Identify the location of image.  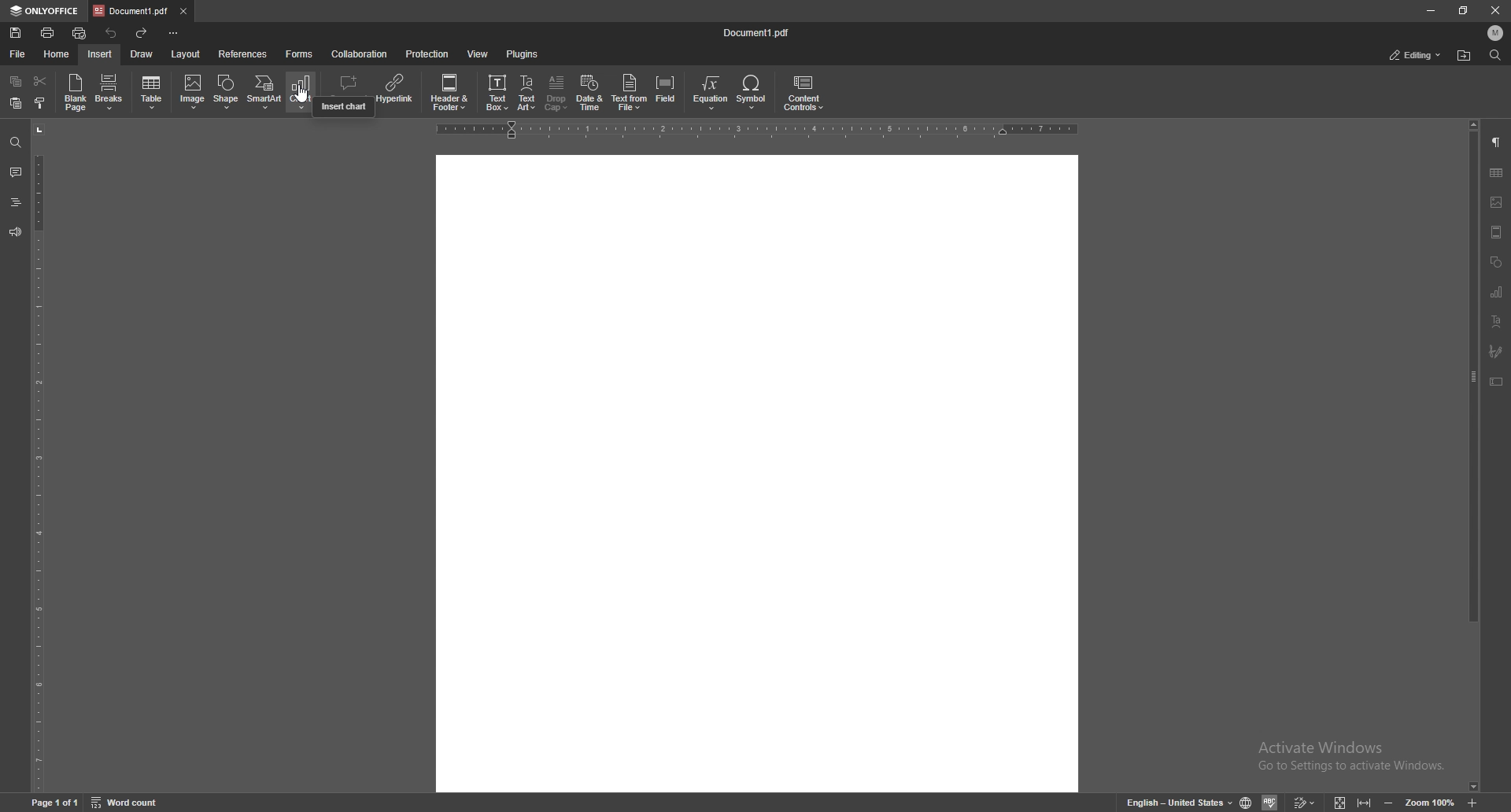
(1498, 202).